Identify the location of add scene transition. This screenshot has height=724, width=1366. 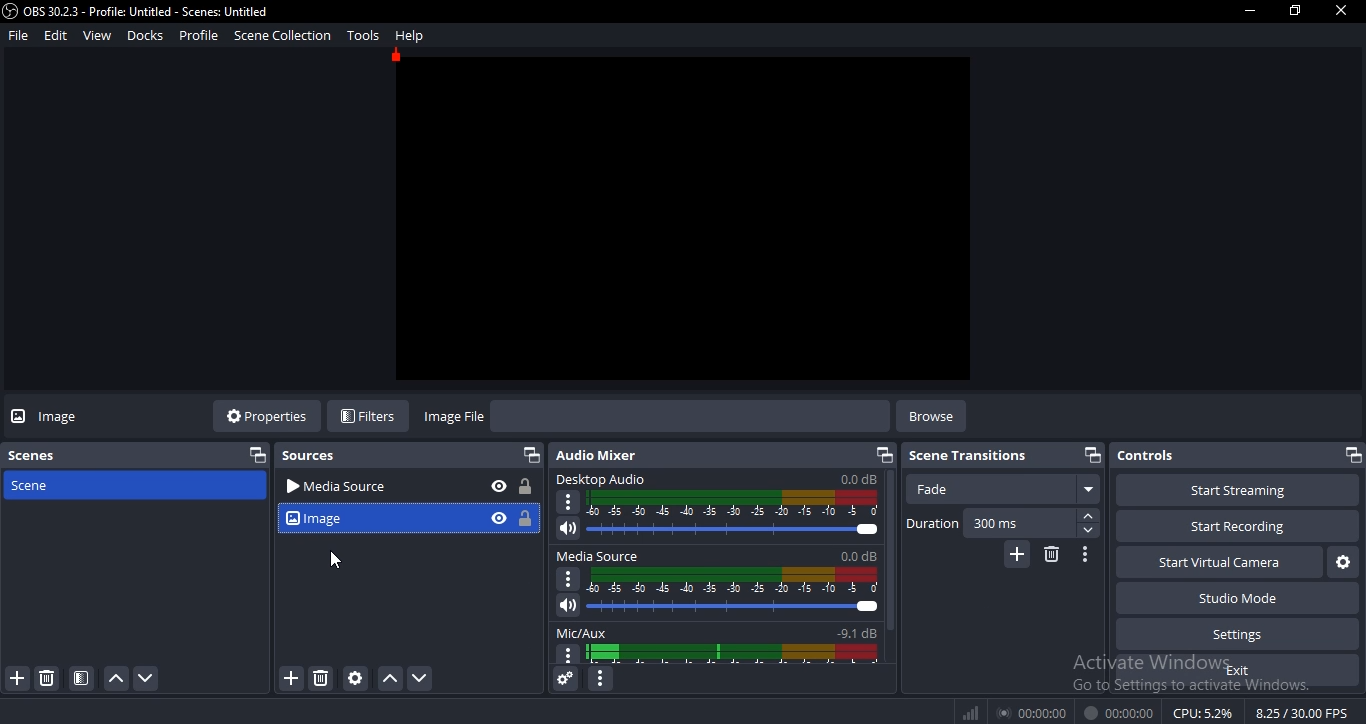
(1019, 554).